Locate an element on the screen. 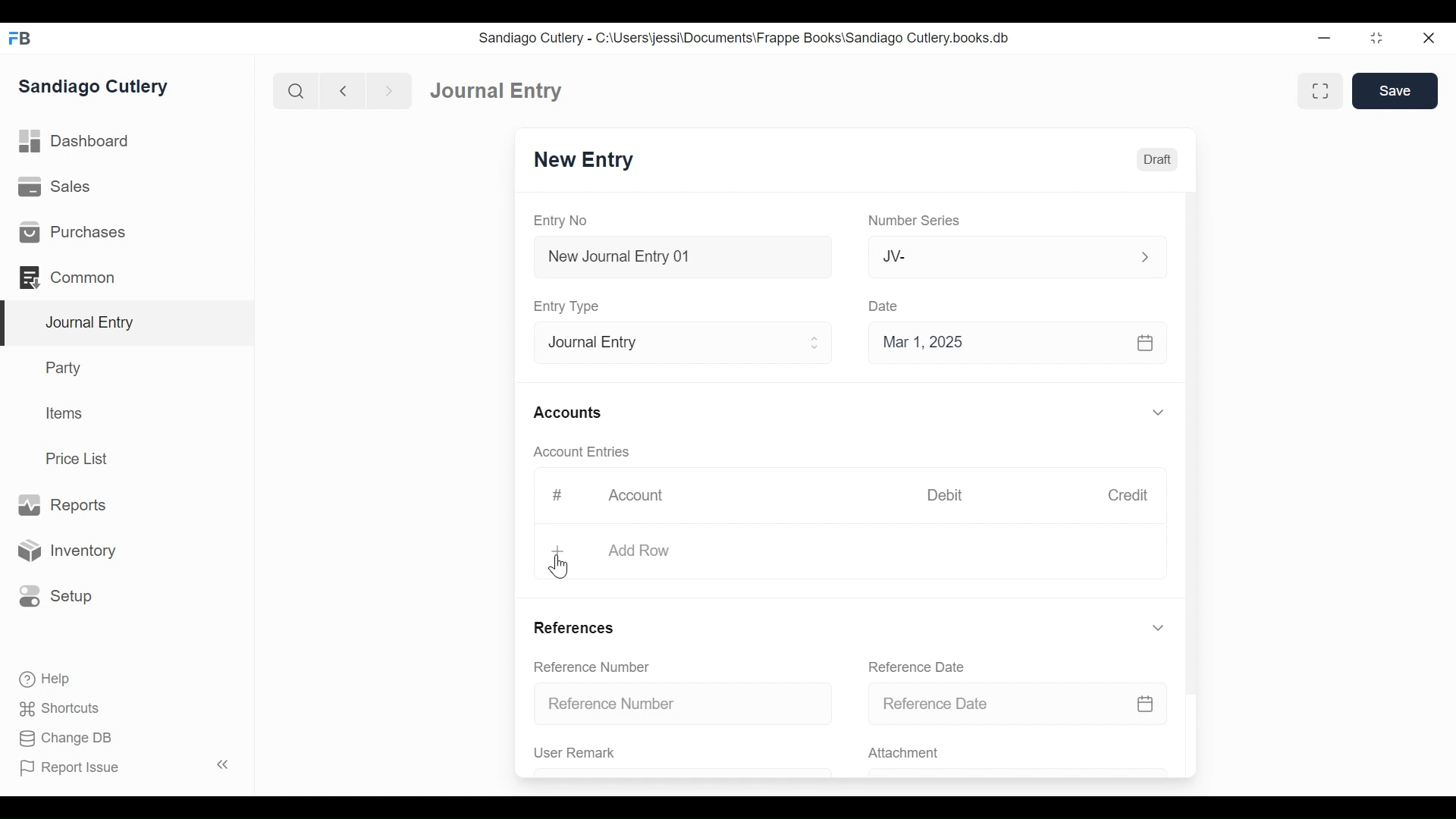  Reference Date is located at coordinates (907, 666).